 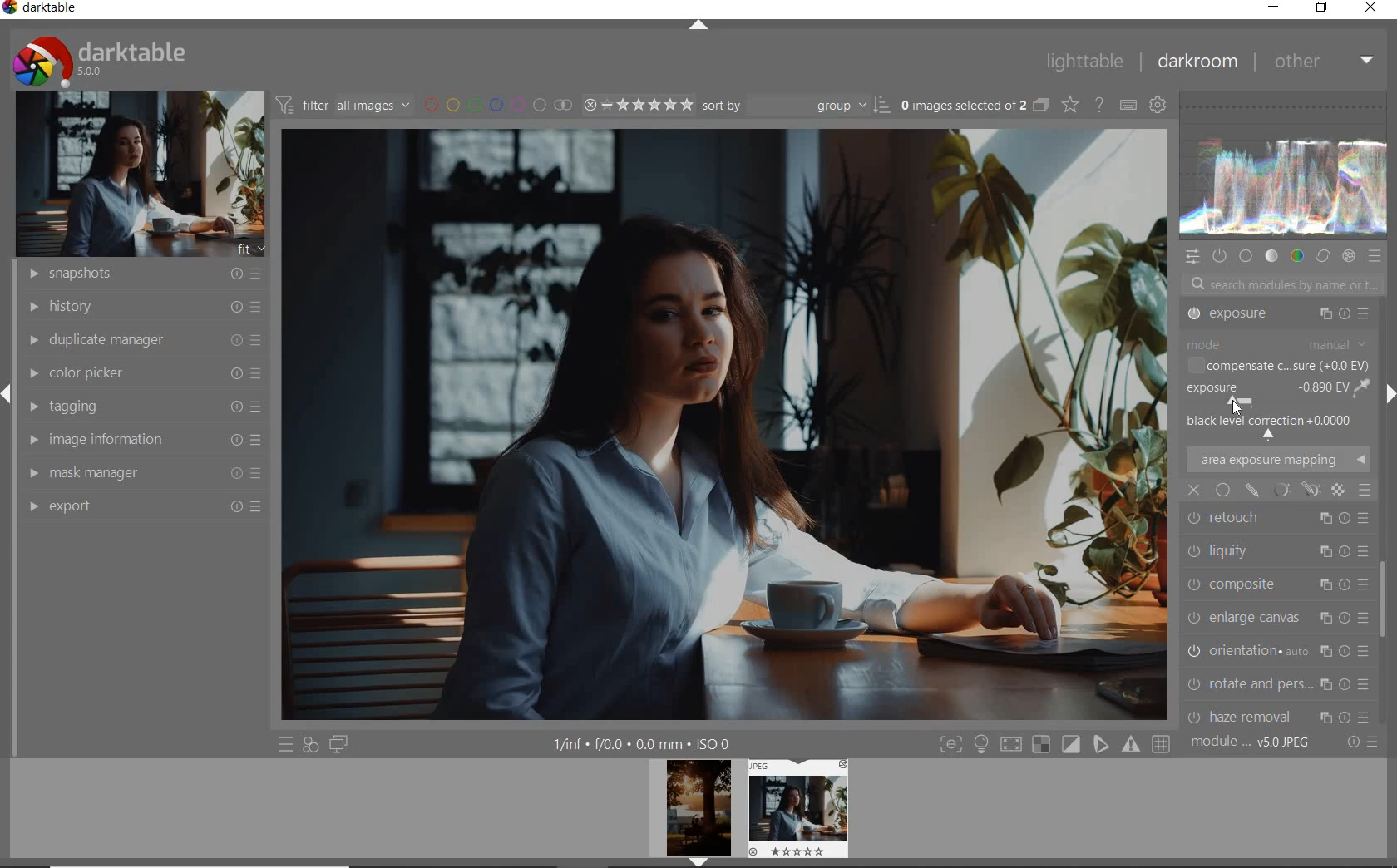 I want to click on ENLARGE CANVAS, so click(x=1277, y=514).